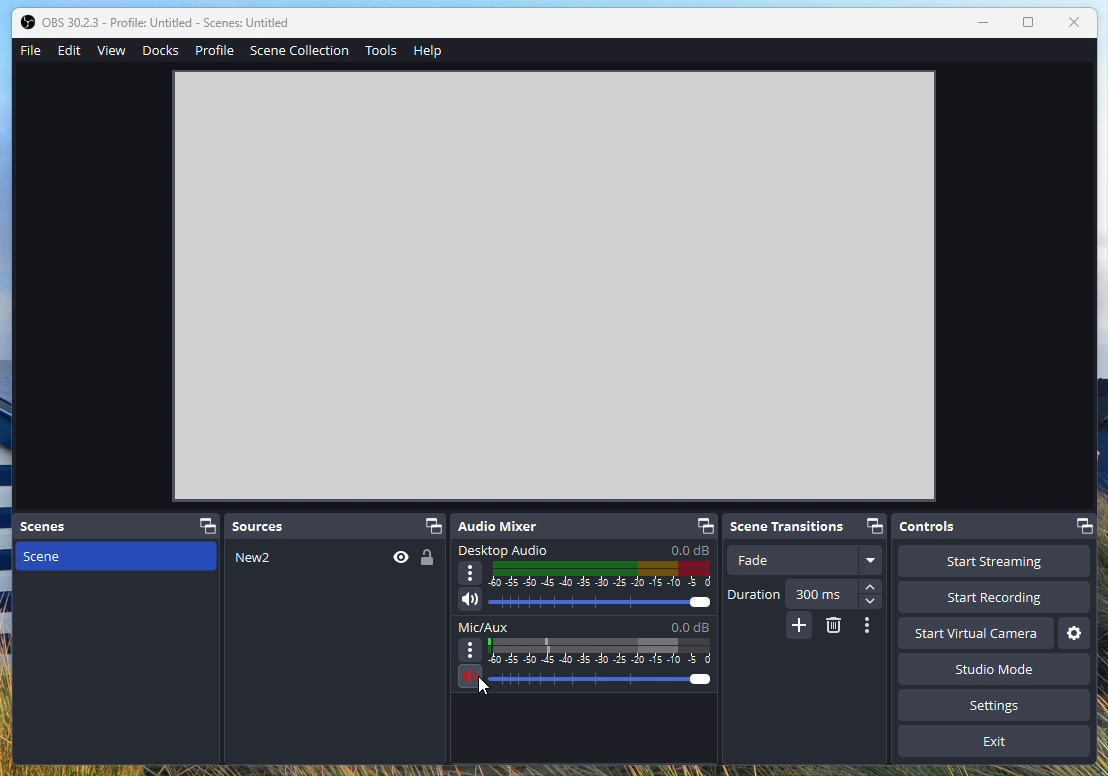 The height and width of the screenshot is (776, 1108). I want to click on Scenes, so click(118, 528).